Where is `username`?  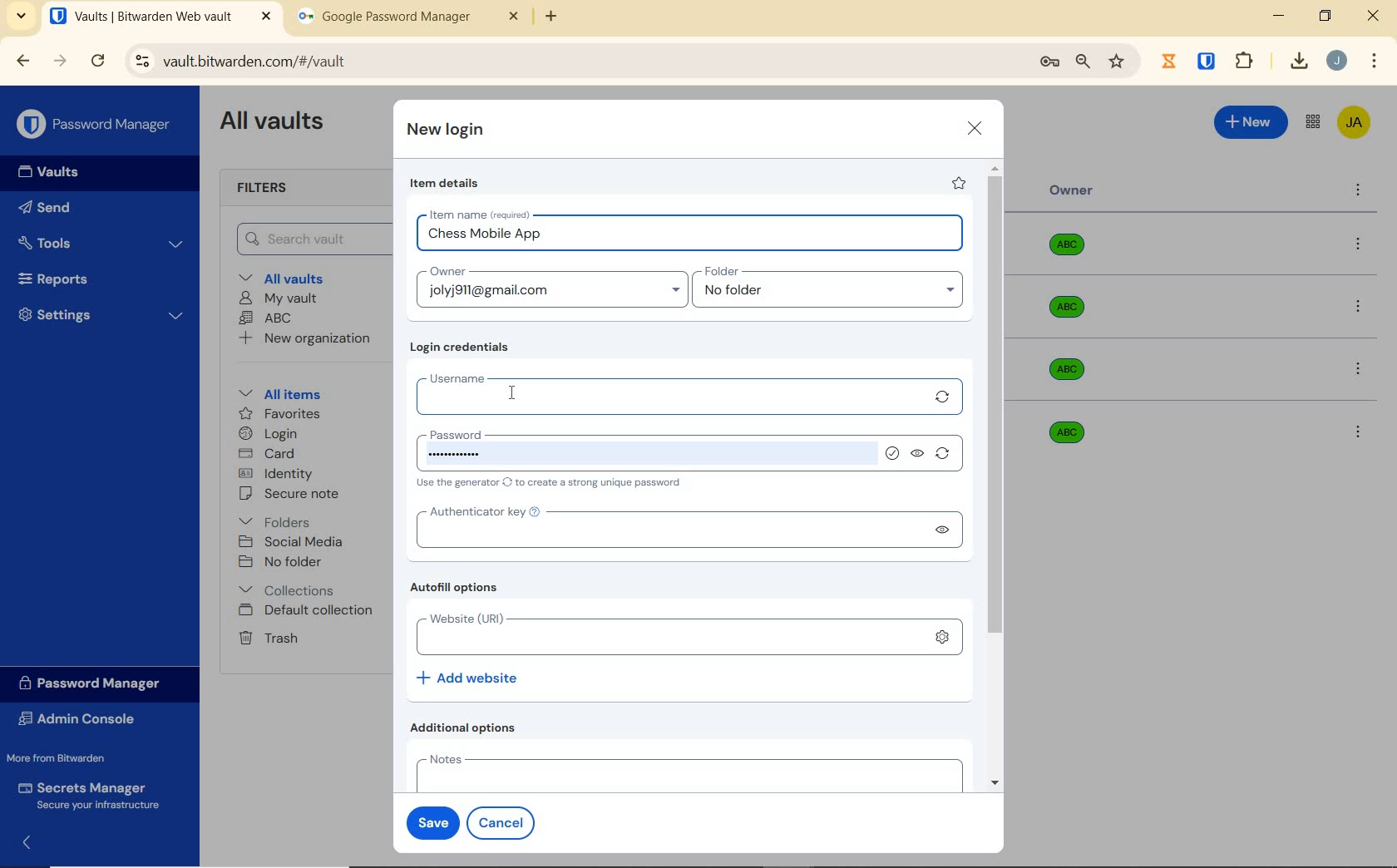
username is located at coordinates (668, 393).